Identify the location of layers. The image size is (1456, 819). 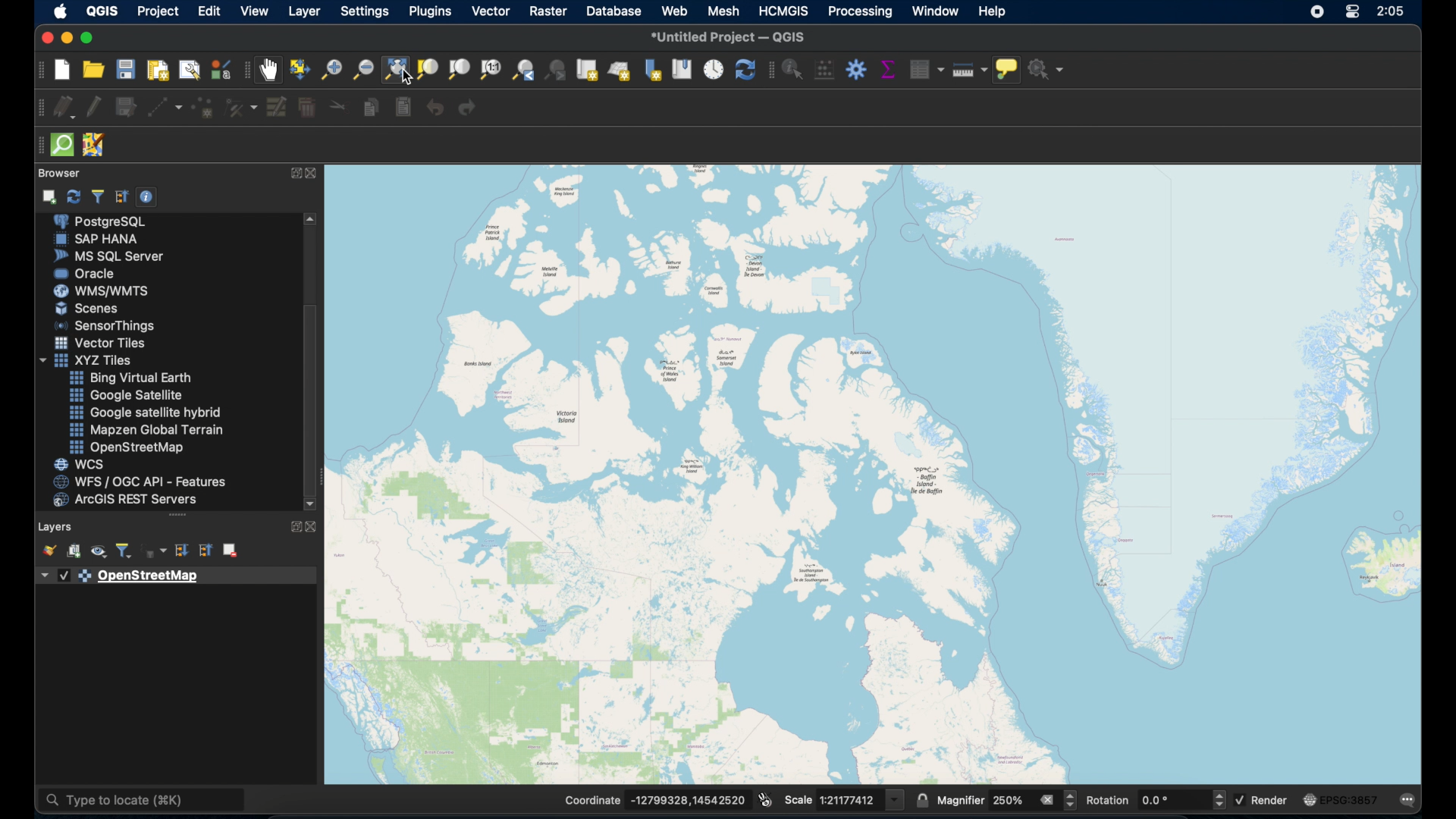
(58, 527).